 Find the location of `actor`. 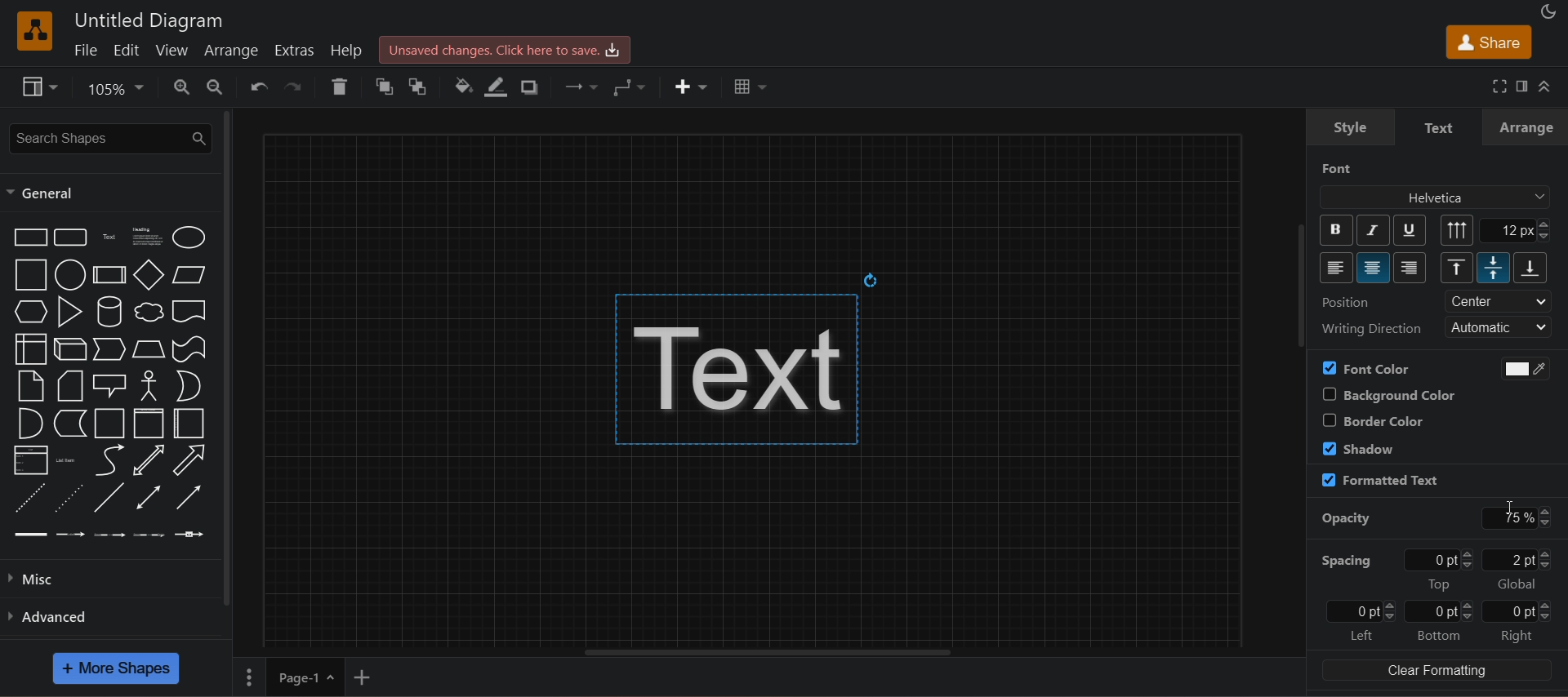

actor is located at coordinates (151, 386).